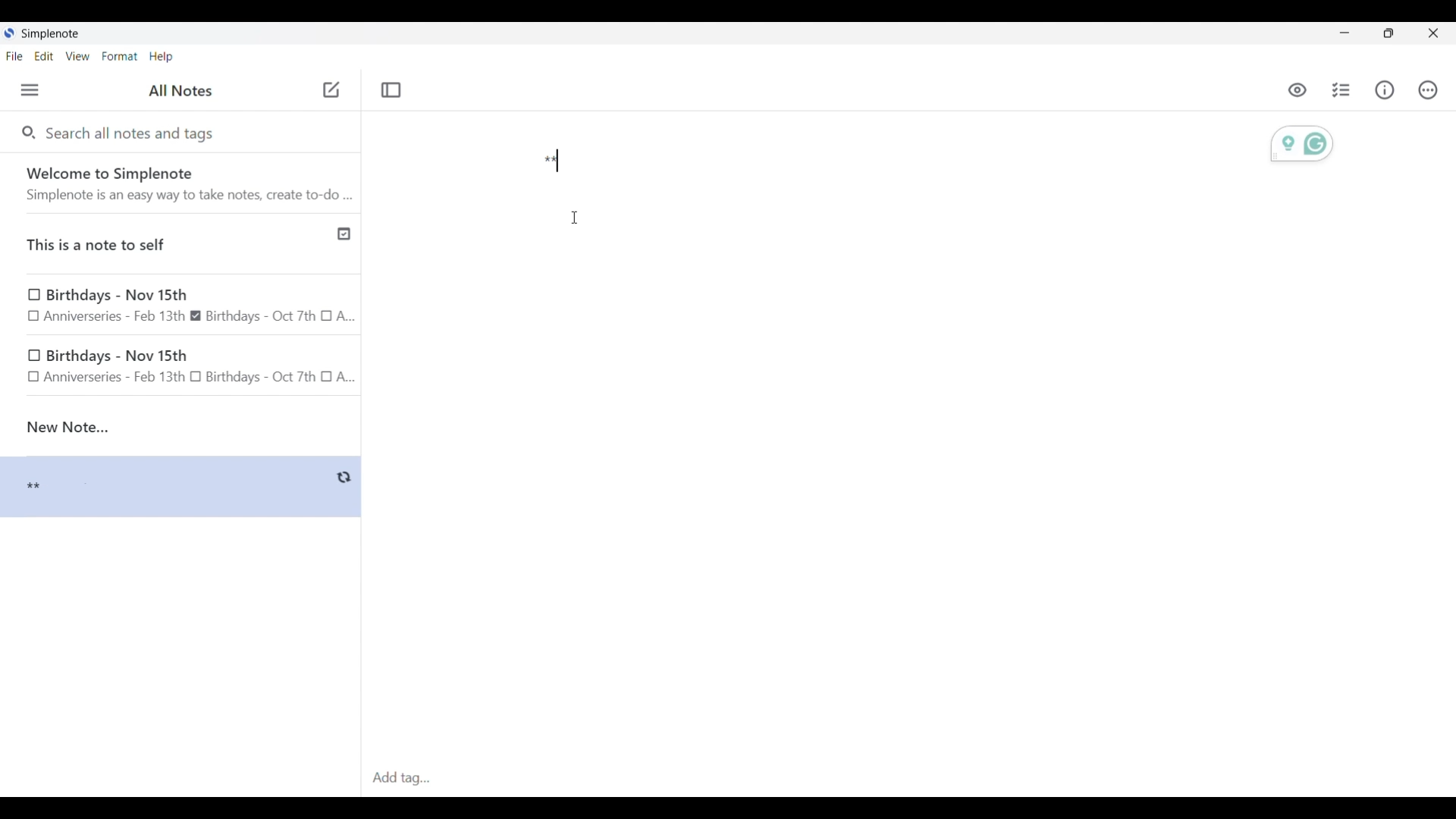  What do you see at coordinates (180, 91) in the screenshot?
I see `Title of left side panel` at bounding box center [180, 91].